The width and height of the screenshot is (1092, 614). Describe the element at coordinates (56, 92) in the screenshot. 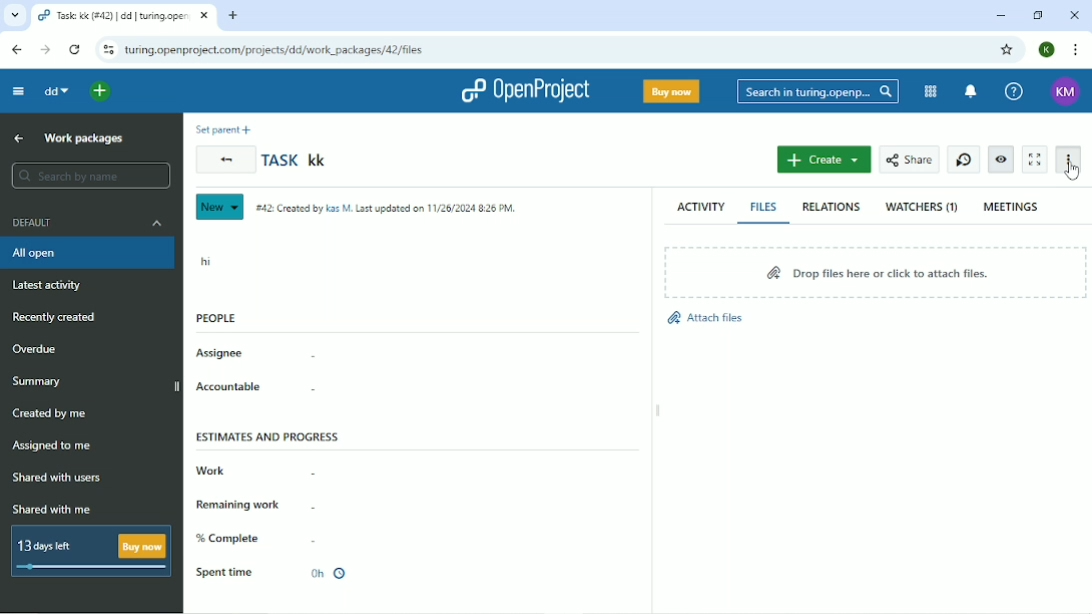

I see `dd` at that location.